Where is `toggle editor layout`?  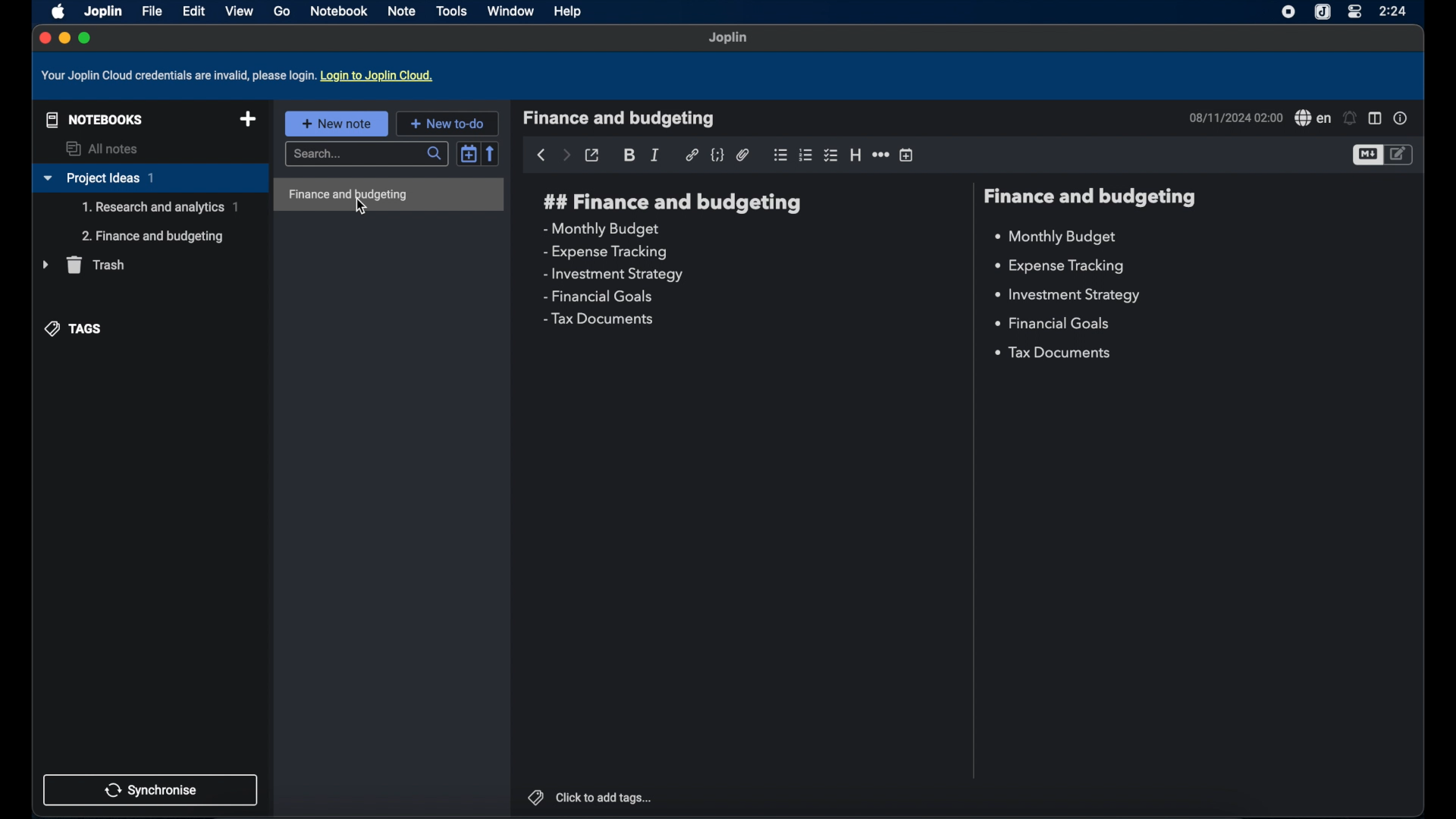 toggle editor layout is located at coordinates (1375, 119).